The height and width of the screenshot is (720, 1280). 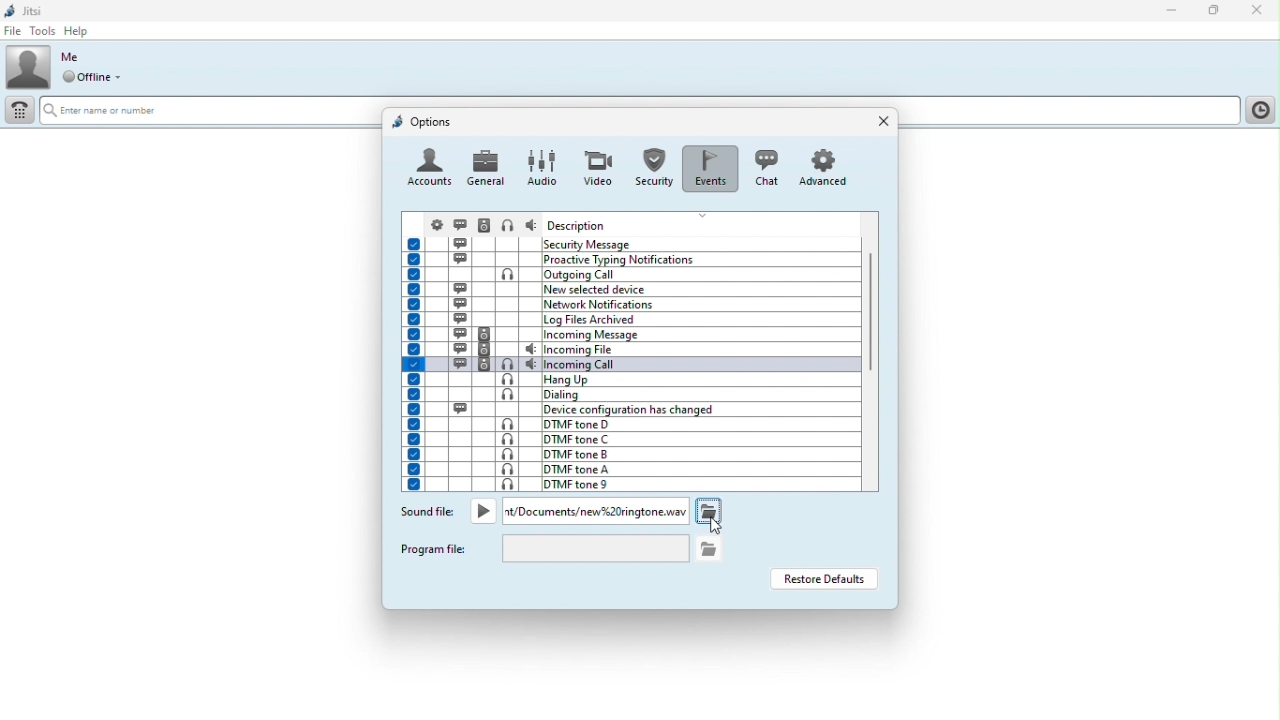 What do you see at coordinates (632, 243) in the screenshot?
I see `Events and description` at bounding box center [632, 243].